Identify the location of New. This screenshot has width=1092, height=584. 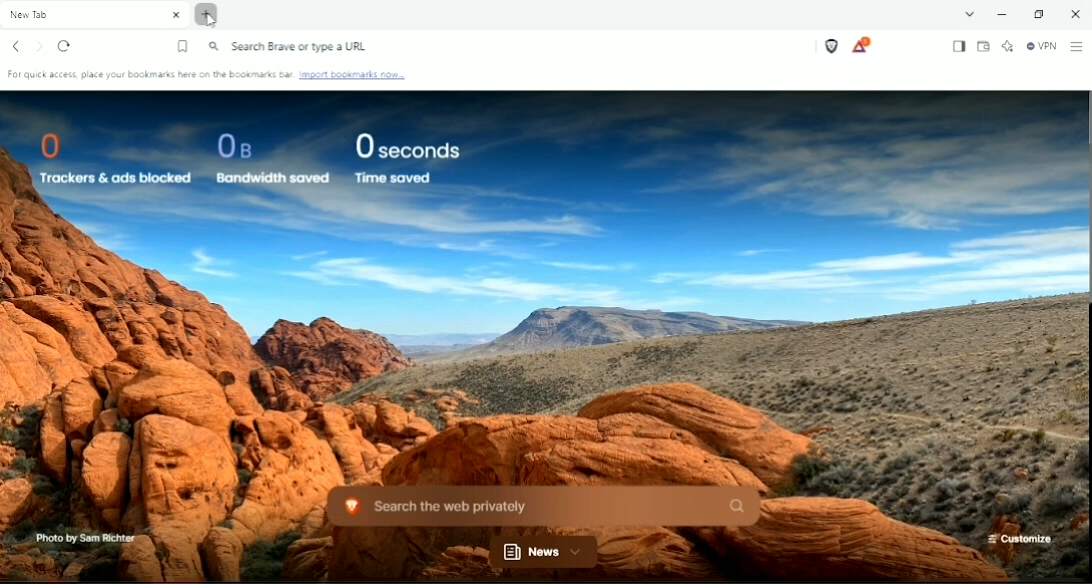
(543, 553).